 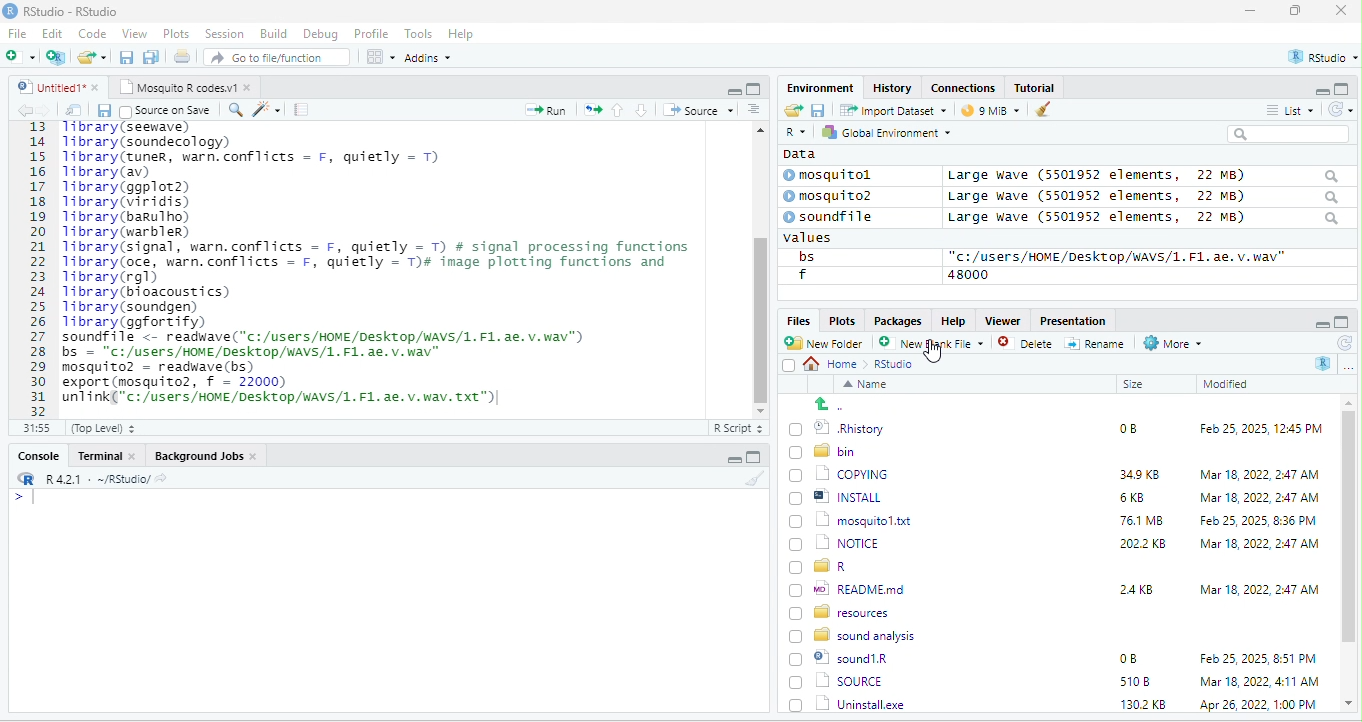 What do you see at coordinates (94, 57) in the screenshot?
I see `folder` at bounding box center [94, 57].